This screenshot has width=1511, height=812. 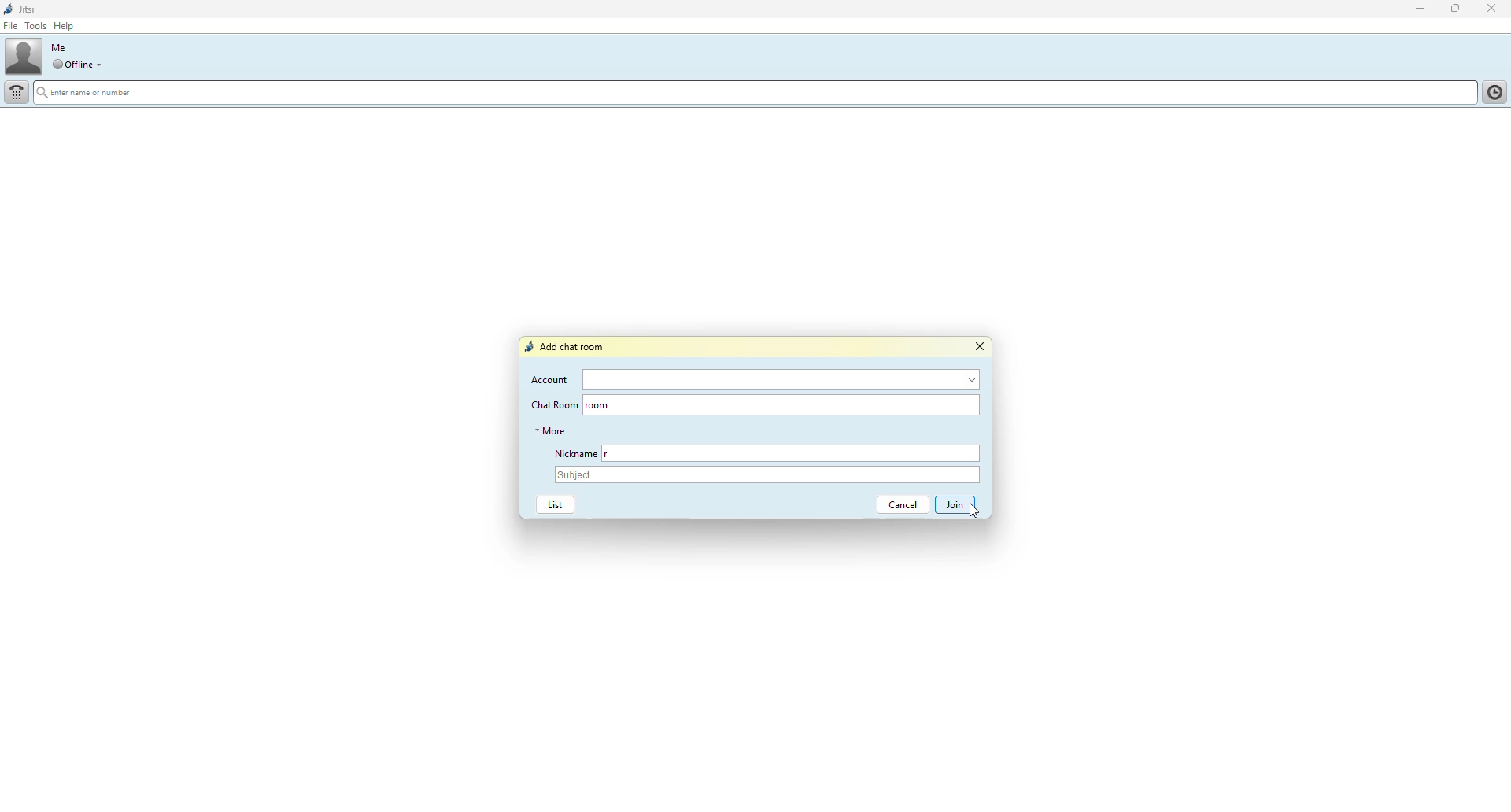 What do you see at coordinates (752, 93) in the screenshot?
I see `search name` at bounding box center [752, 93].